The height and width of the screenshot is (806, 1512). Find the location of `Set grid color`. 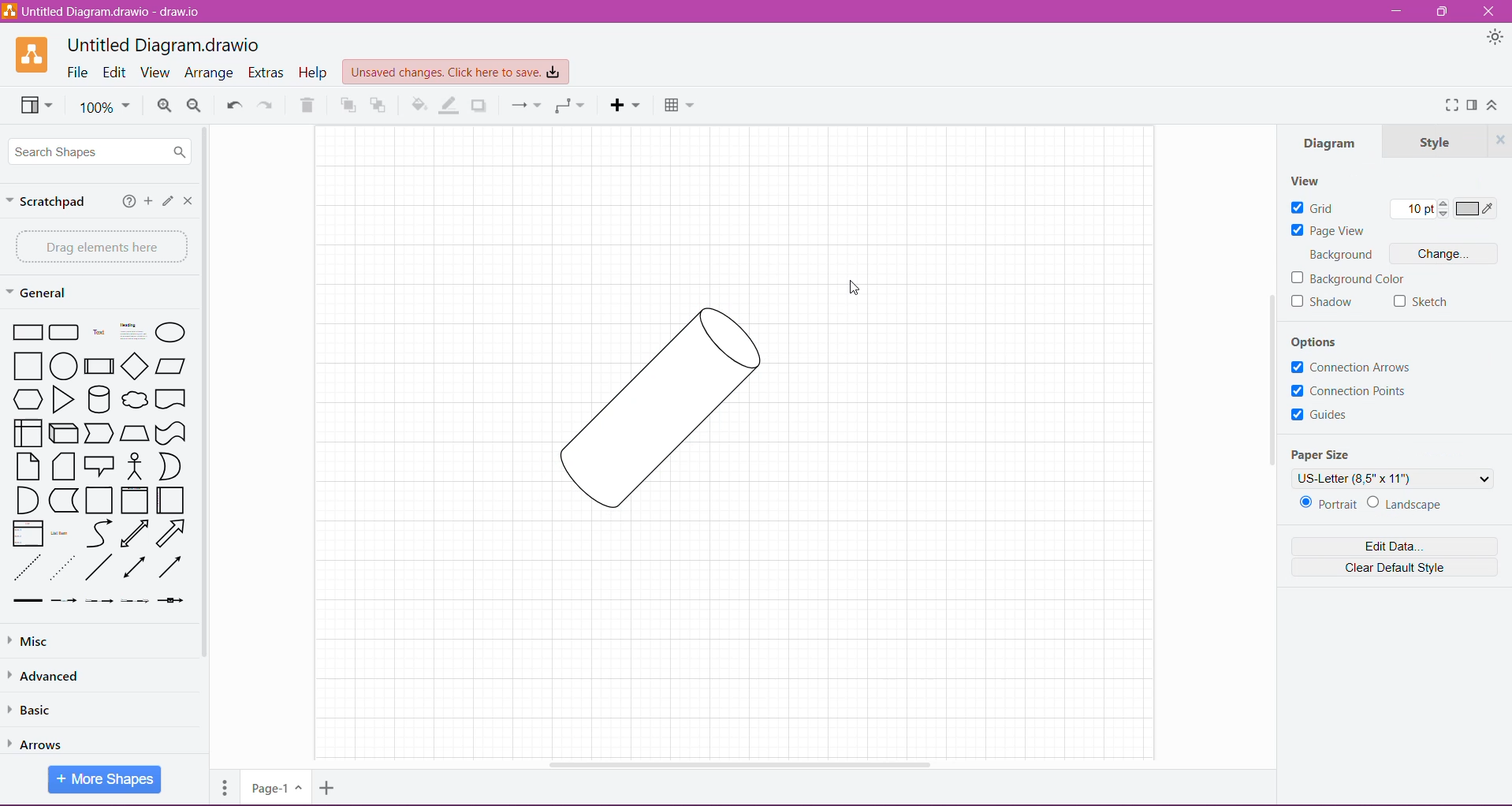

Set grid color is located at coordinates (1477, 209).